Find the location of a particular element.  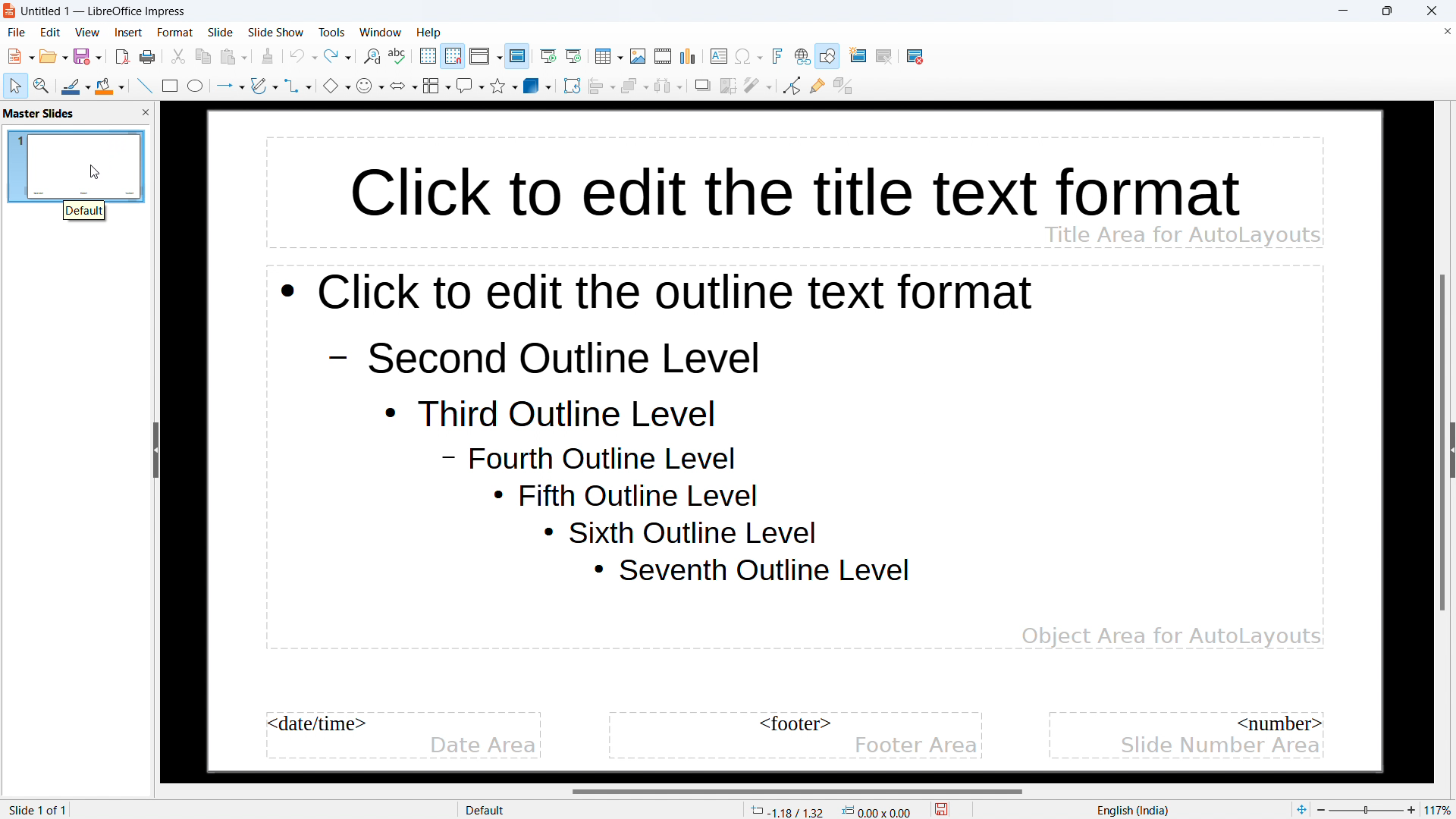

insert link is located at coordinates (802, 57).